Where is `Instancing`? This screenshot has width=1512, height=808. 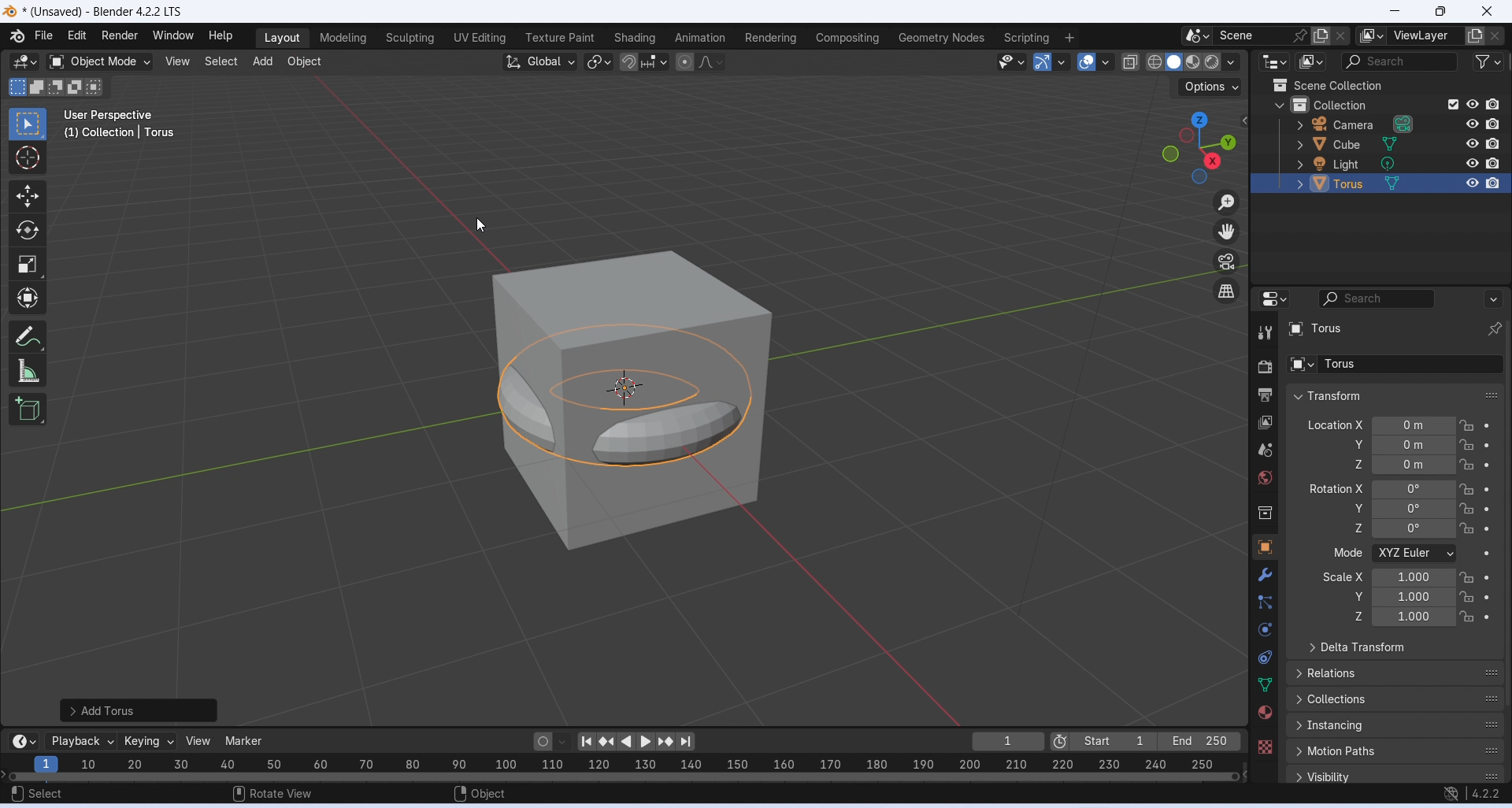 Instancing is located at coordinates (1396, 726).